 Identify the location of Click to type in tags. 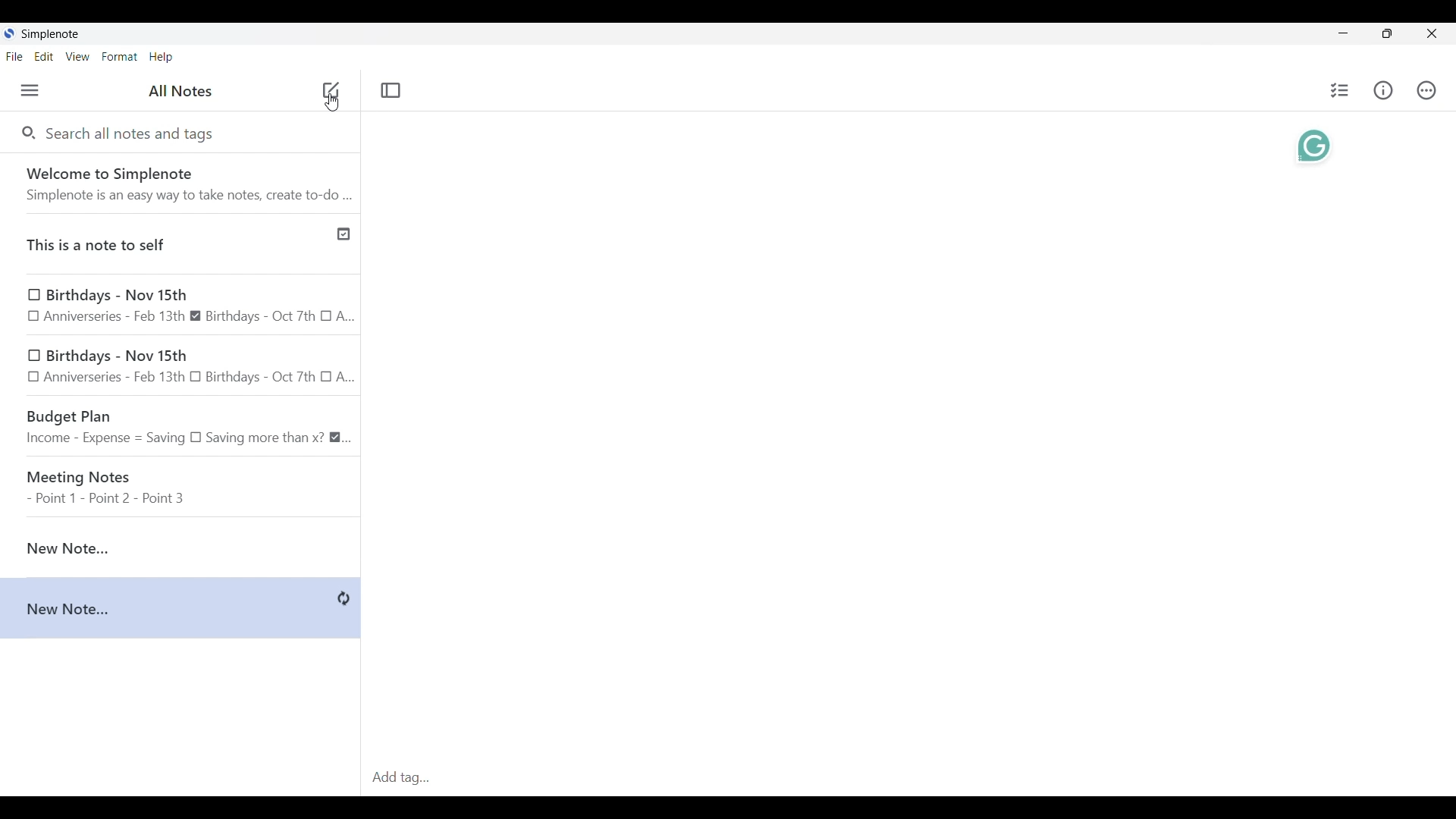
(907, 779).